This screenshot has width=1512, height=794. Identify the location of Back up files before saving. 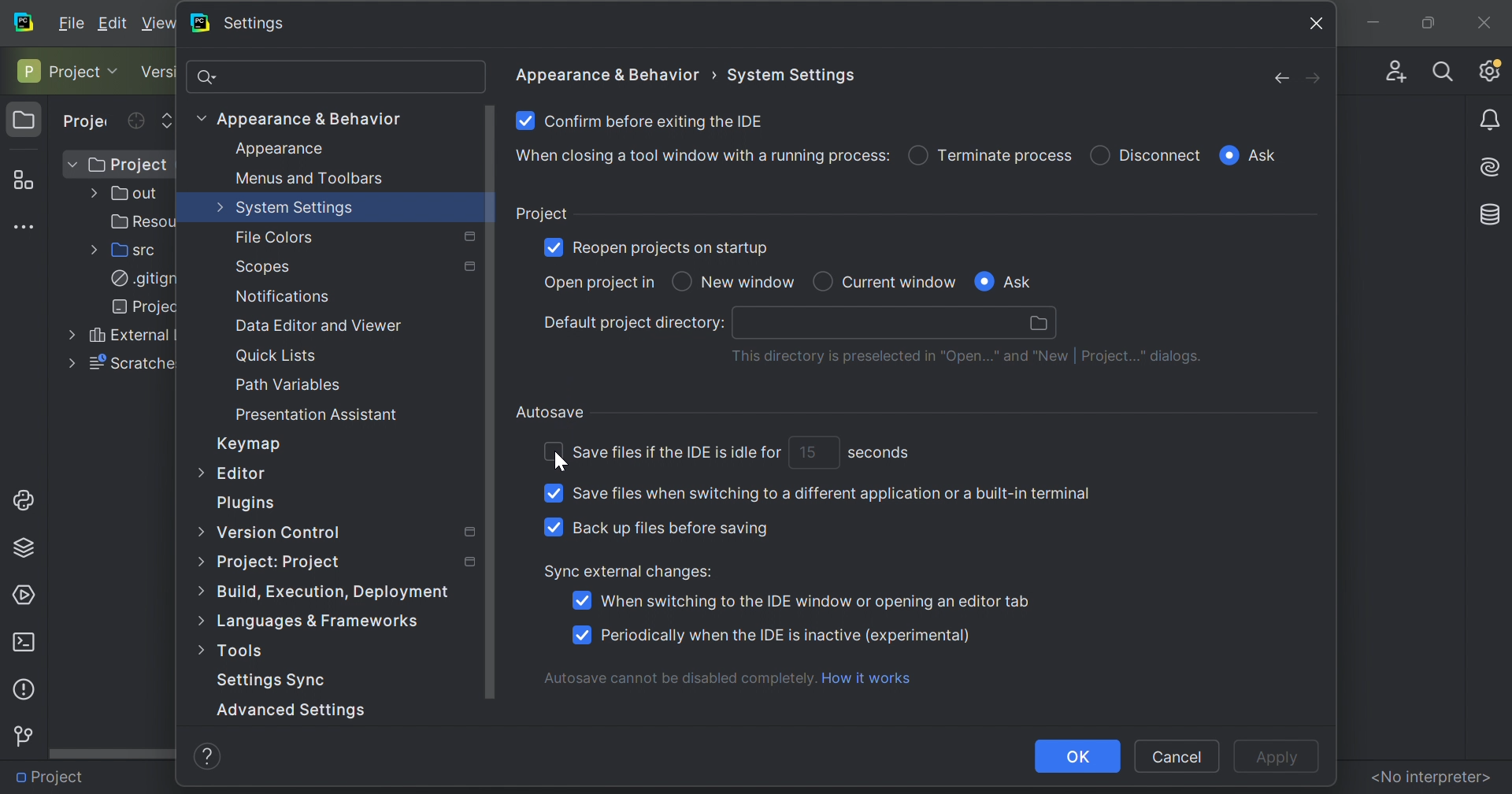
(669, 528).